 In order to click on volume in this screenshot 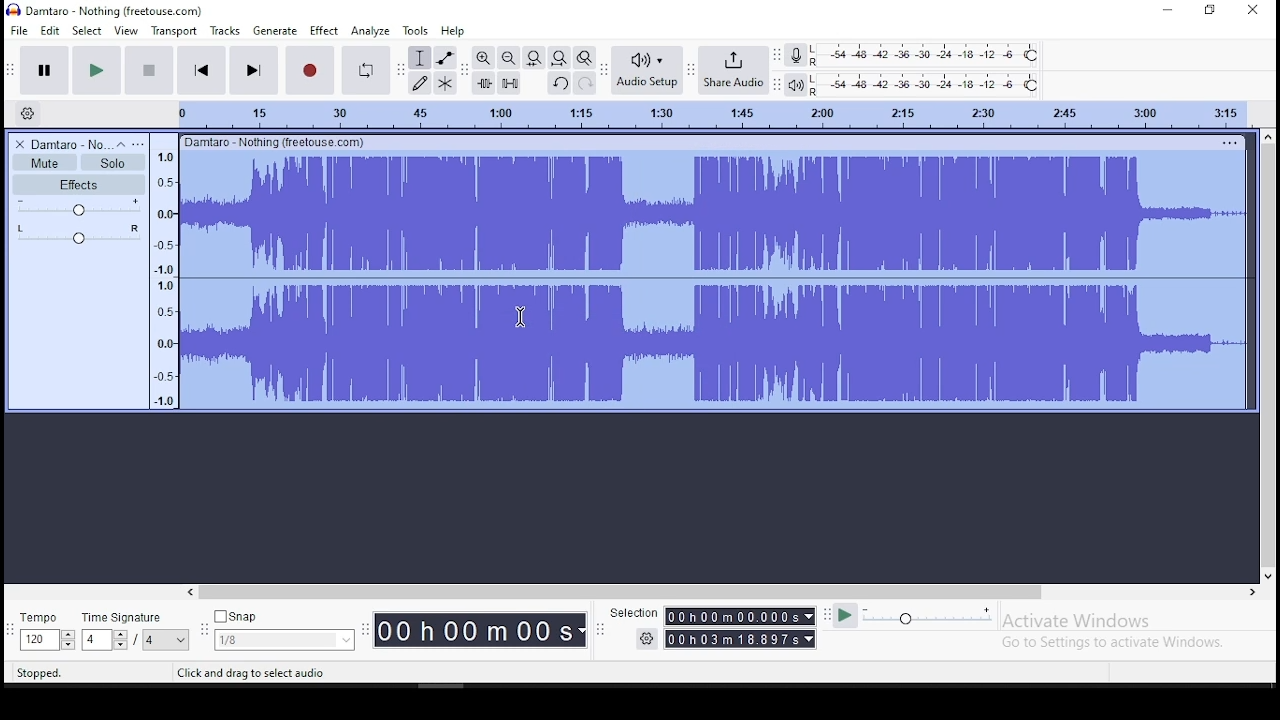, I will do `click(79, 209)`.